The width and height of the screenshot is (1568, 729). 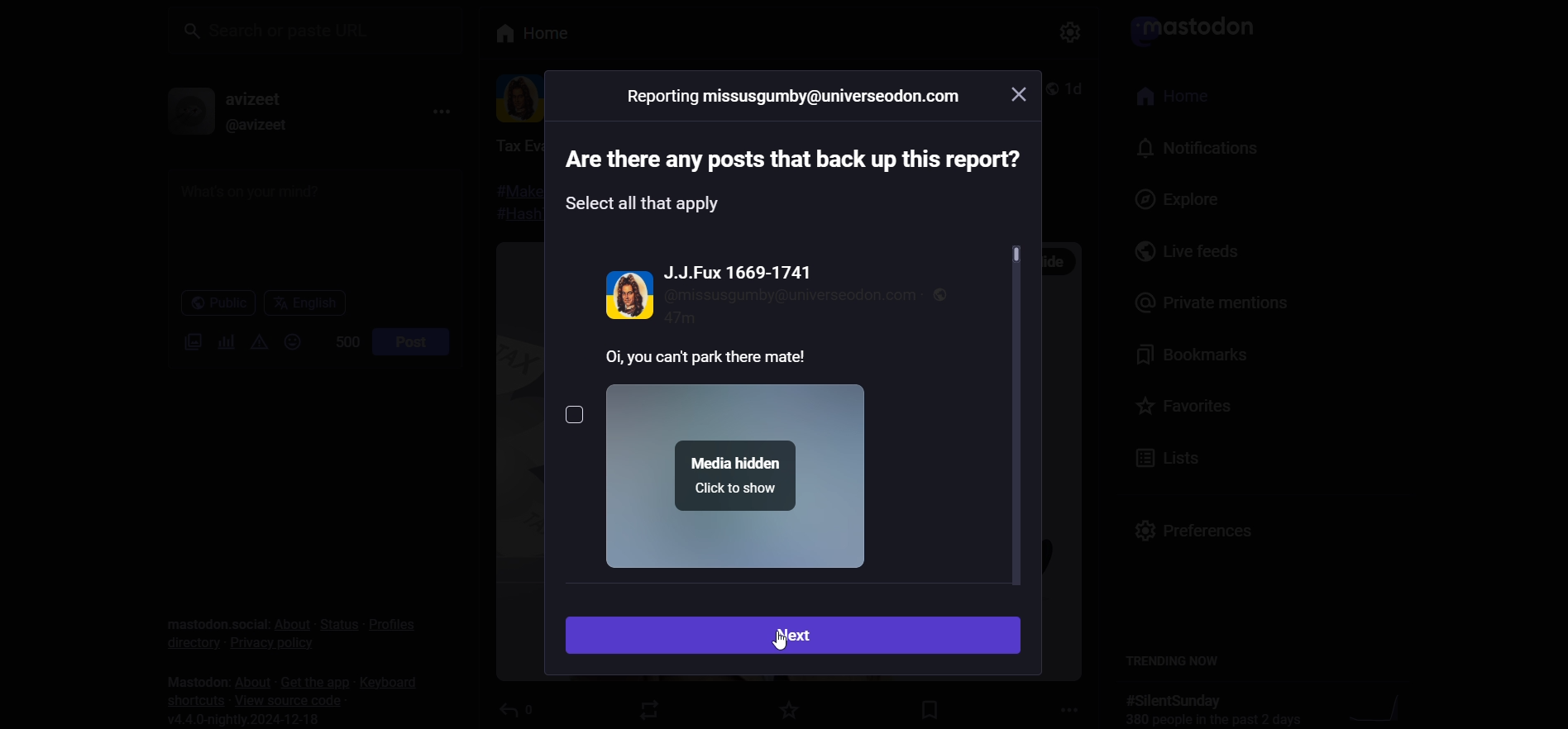 I want to click on close, so click(x=1023, y=95).